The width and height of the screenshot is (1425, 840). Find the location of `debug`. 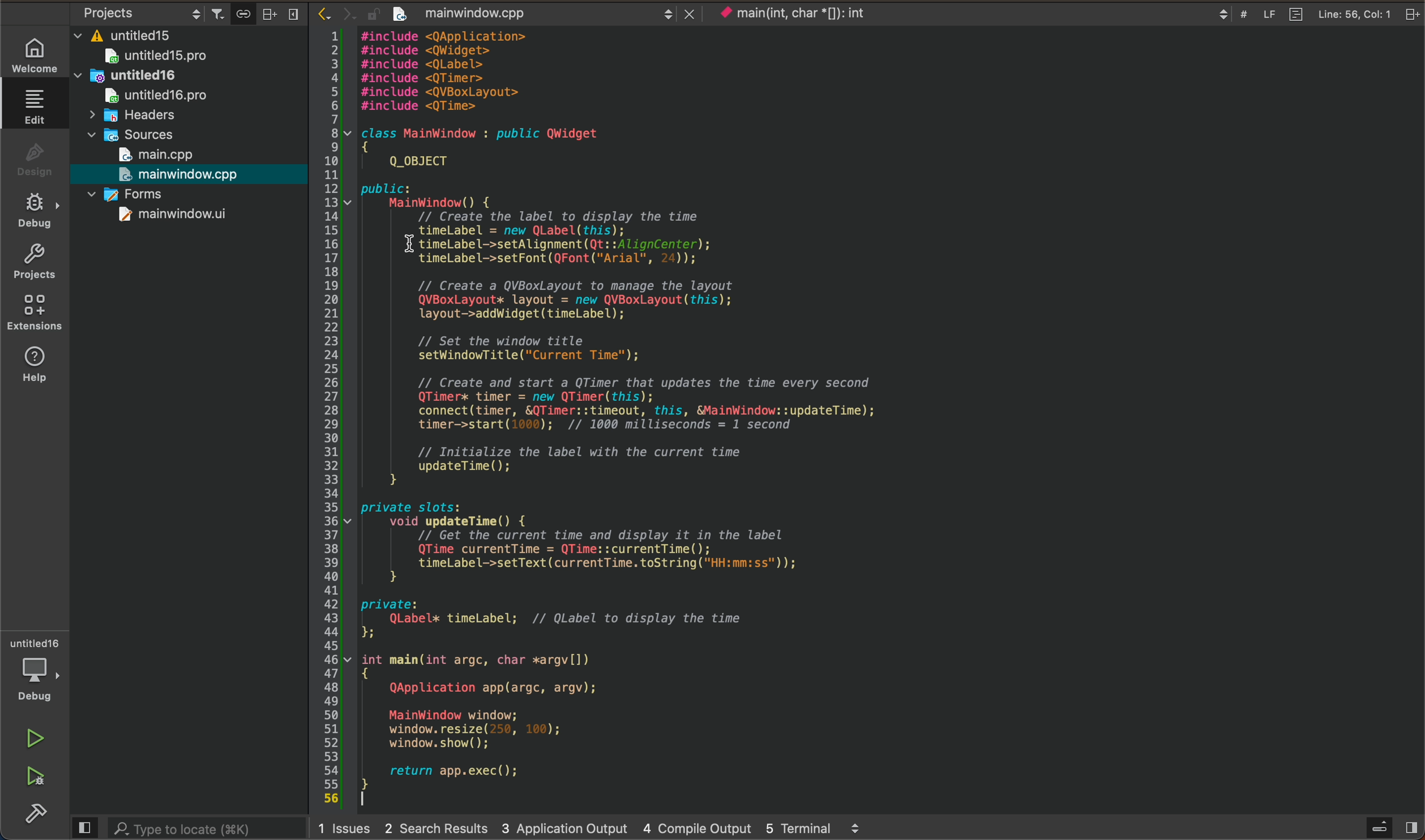

debug is located at coordinates (32, 209).